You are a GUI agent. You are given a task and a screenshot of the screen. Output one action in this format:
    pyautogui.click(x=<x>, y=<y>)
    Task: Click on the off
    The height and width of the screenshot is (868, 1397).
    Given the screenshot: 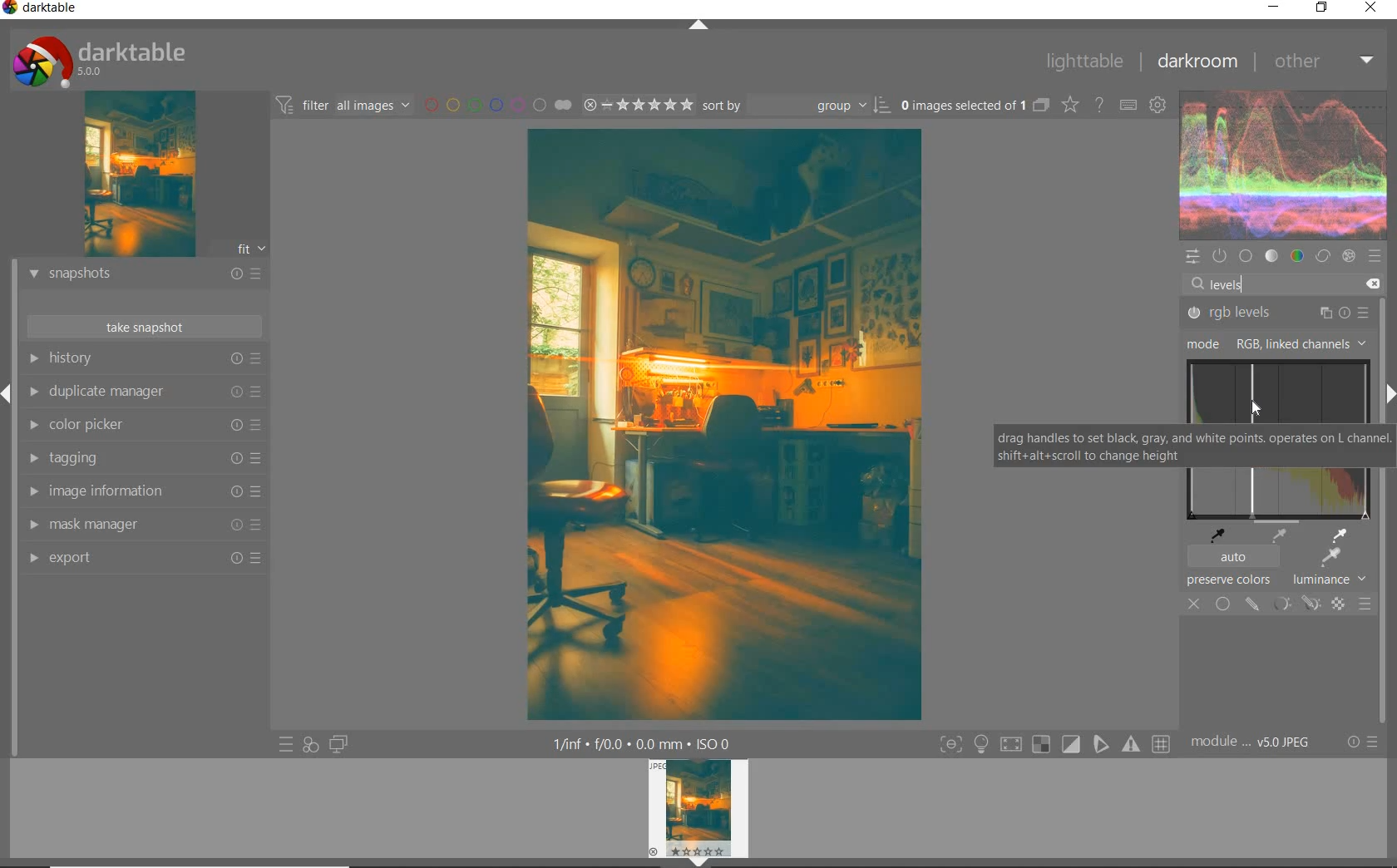 What is the action you would take?
    pyautogui.click(x=1194, y=604)
    